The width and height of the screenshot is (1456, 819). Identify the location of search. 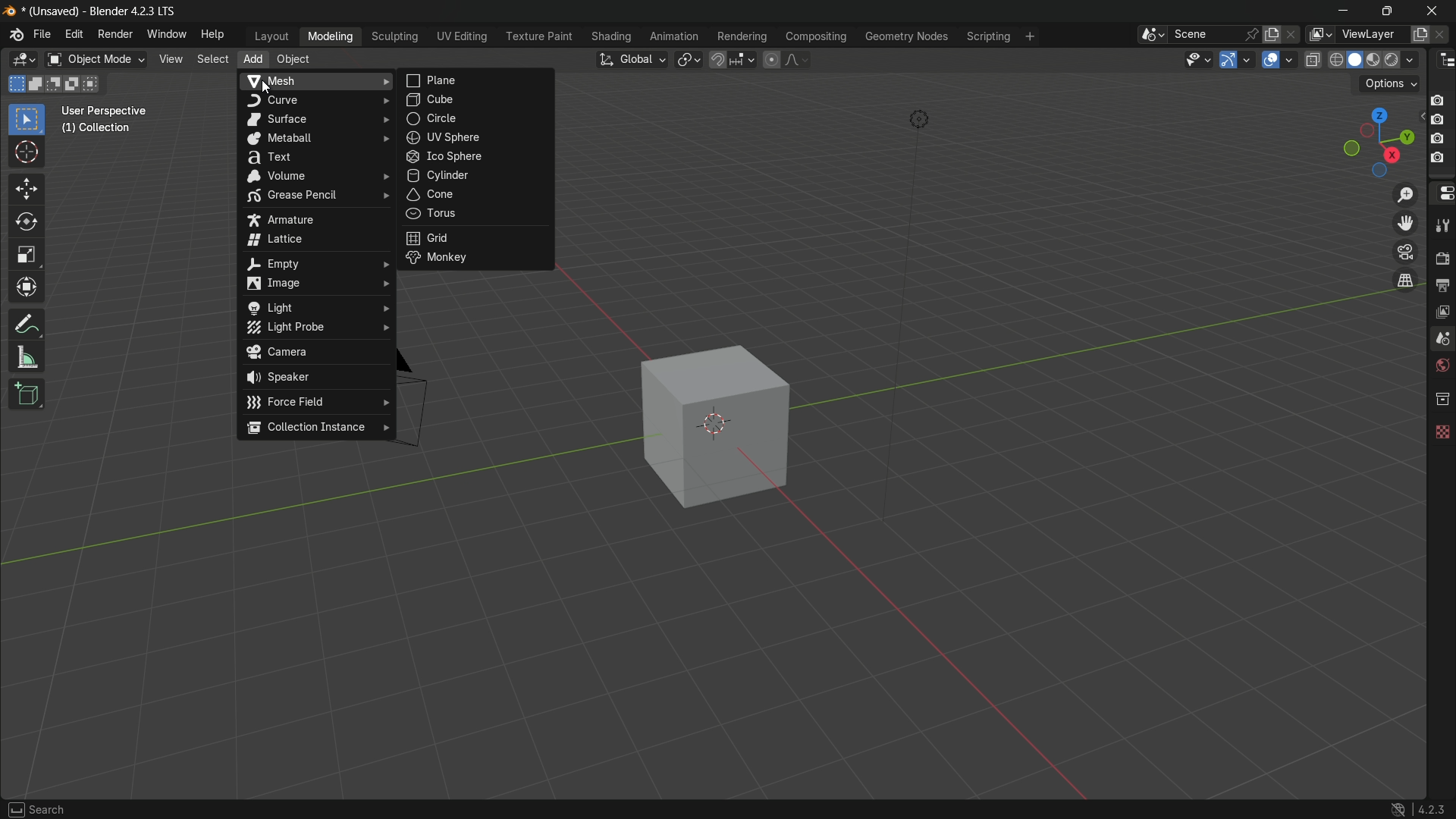
(37, 810).